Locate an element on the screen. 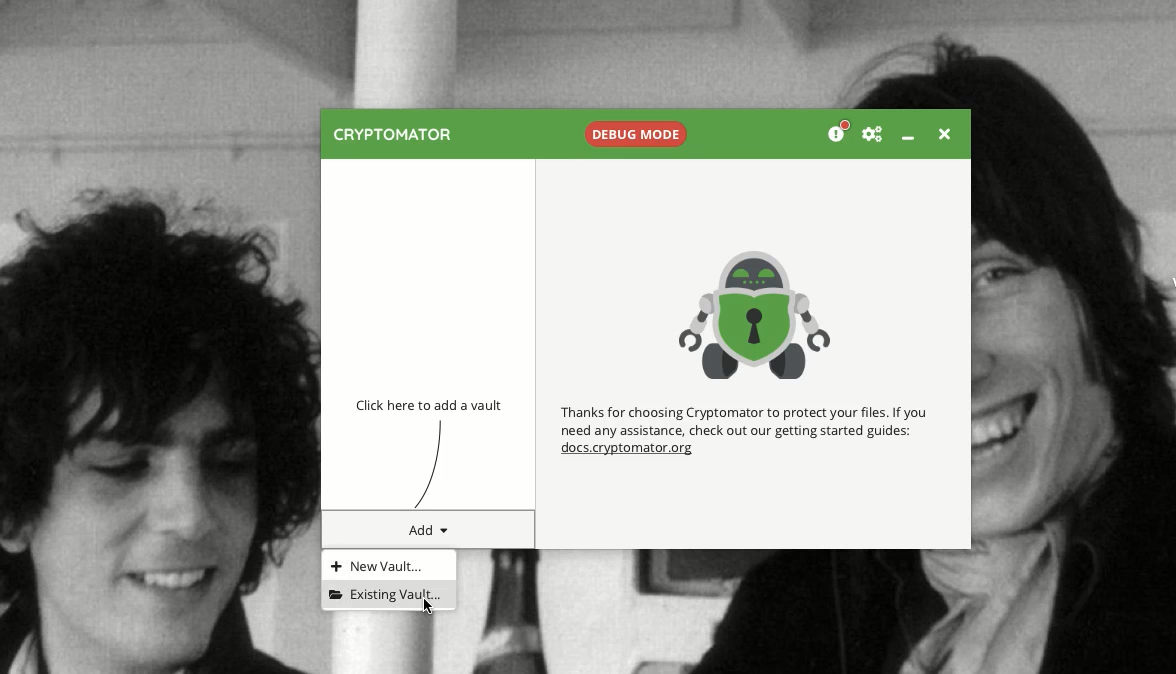 This screenshot has height=674, width=1176. Add menu is located at coordinates (428, 530).